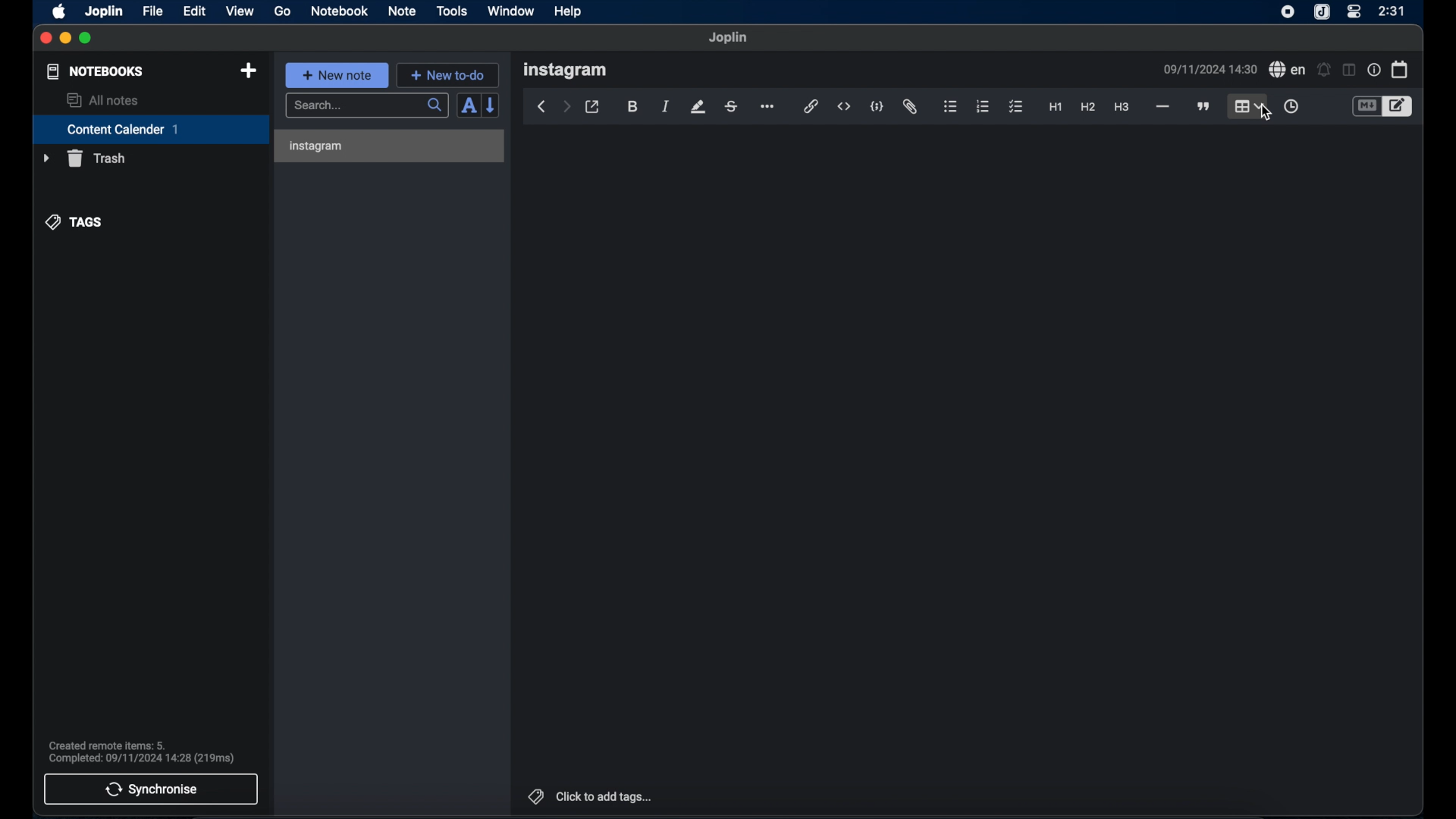 Image resolution: width=1456 pixels, height=819 pixels. What do you see at coordinates (1056, 108) in the screenshot?
I see `heading 1` at bounding box center [1056, 108].